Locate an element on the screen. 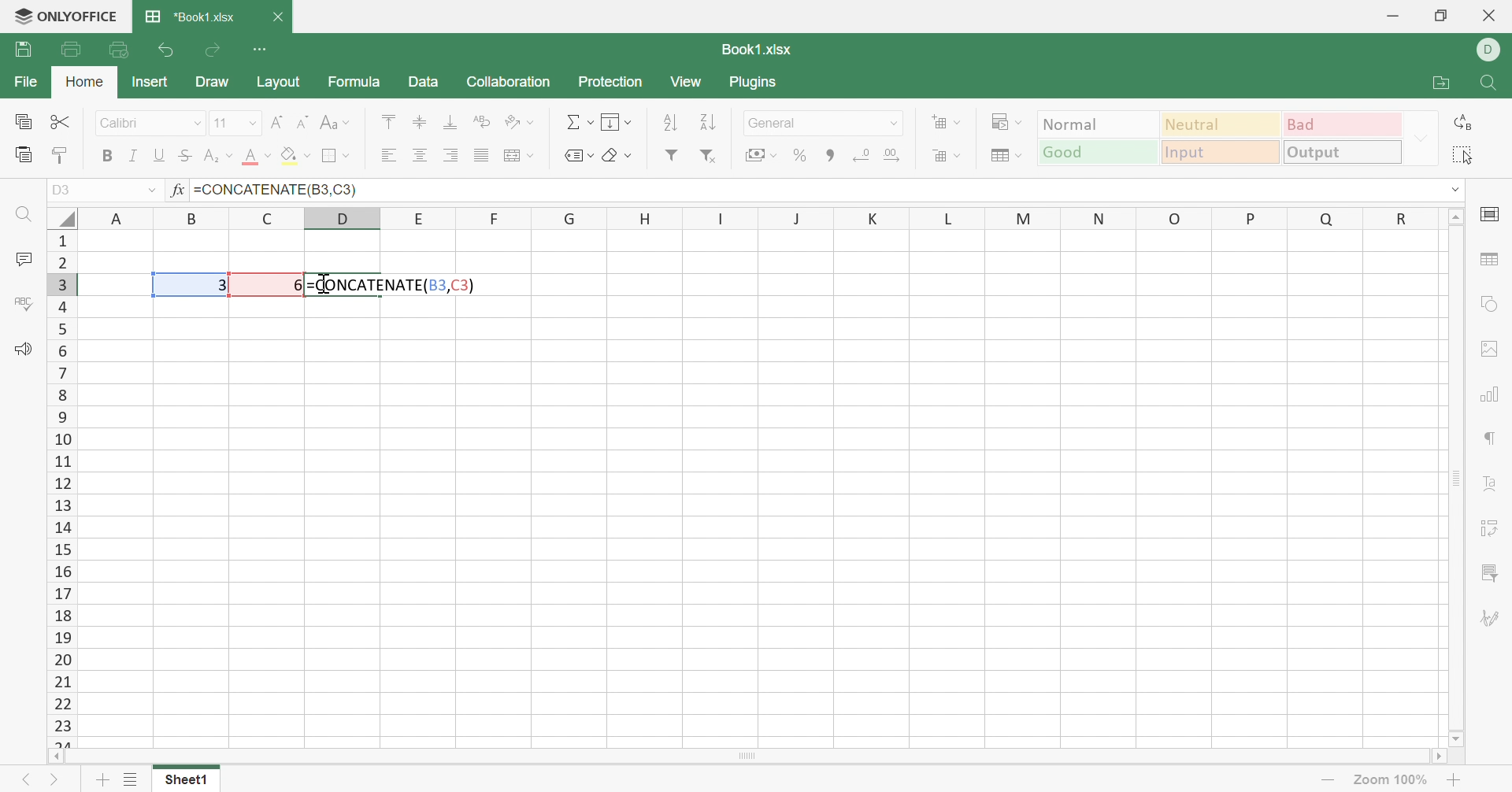 Image resolution: width=1512 pixels, height=792 pixels. Delete cells is located at coordinates (948, 156).